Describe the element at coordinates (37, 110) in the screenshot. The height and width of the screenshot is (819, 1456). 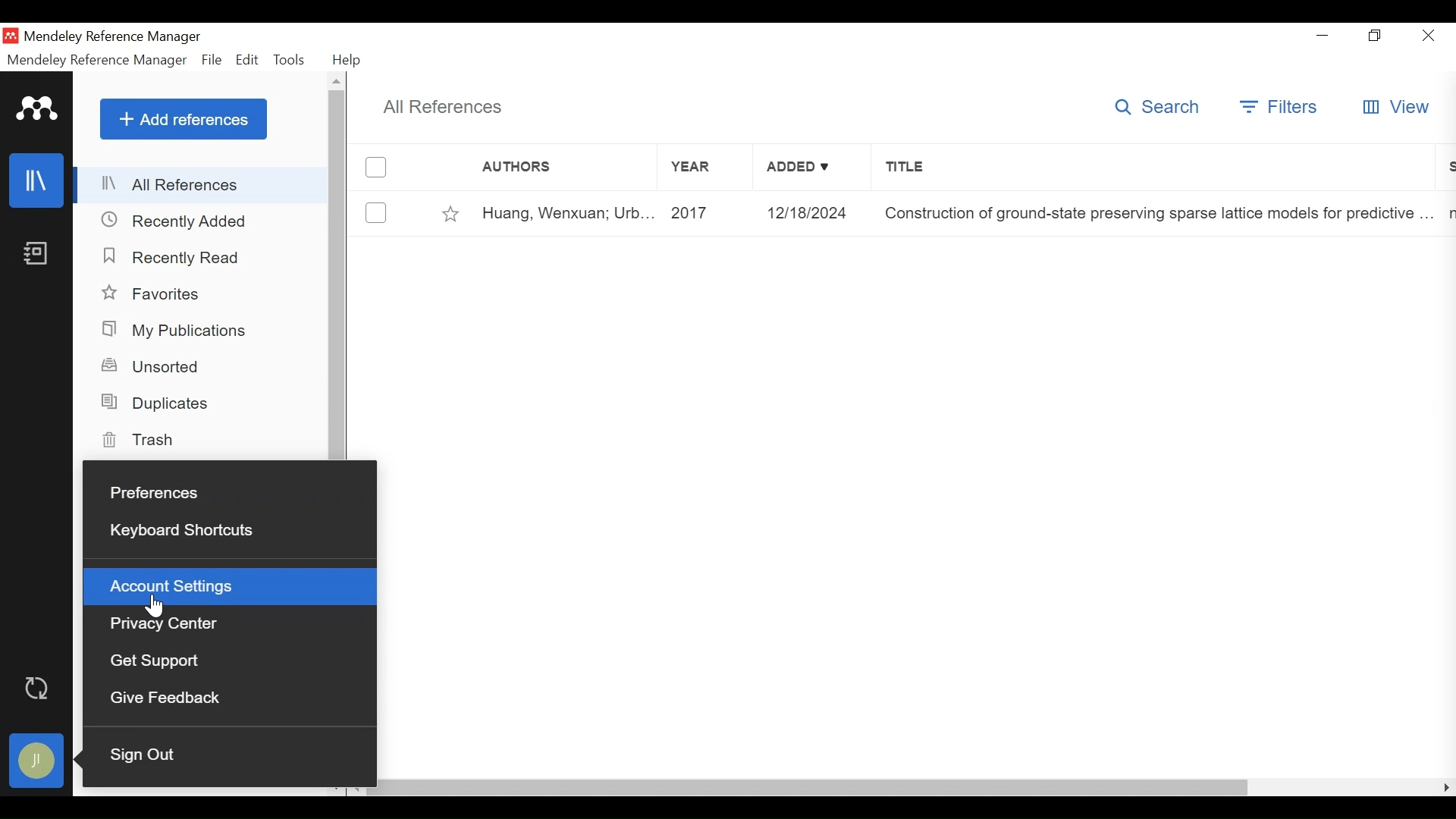
I see `Mendeley Logo` at that location.